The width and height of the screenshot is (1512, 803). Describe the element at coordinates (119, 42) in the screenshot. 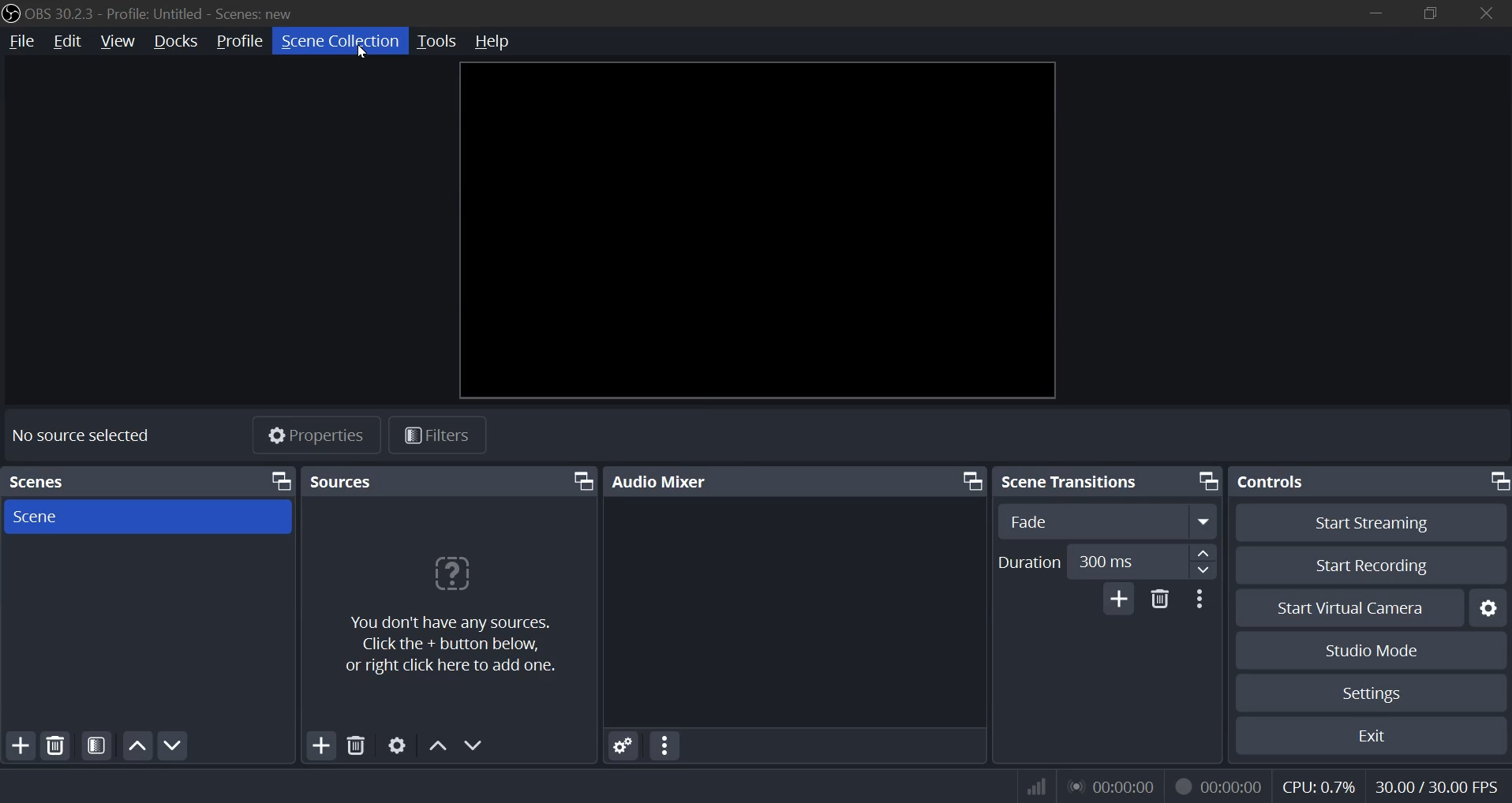

I see `view` at that location.